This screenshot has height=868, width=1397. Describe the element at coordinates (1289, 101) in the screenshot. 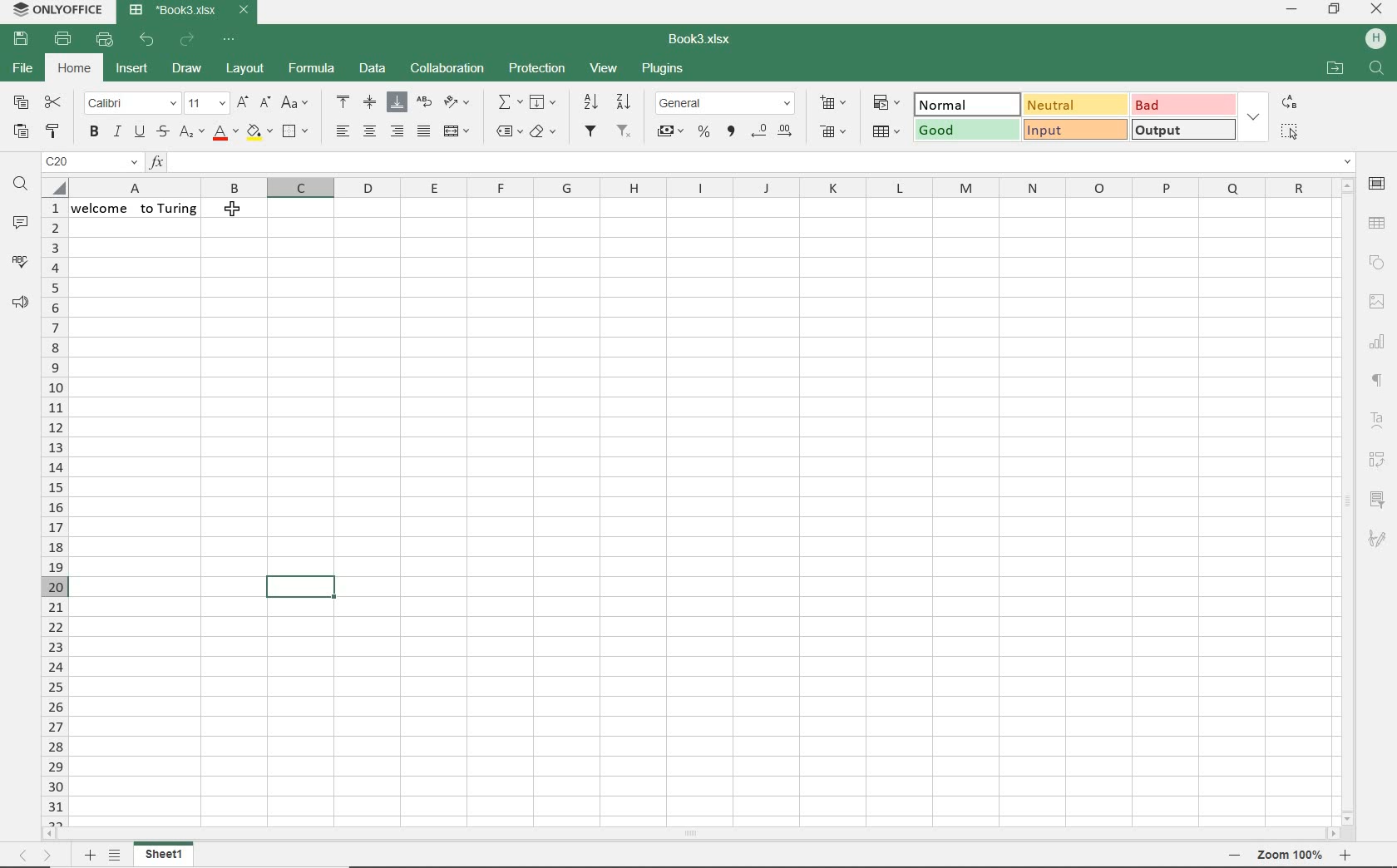

I see `REPLACE` at that location.